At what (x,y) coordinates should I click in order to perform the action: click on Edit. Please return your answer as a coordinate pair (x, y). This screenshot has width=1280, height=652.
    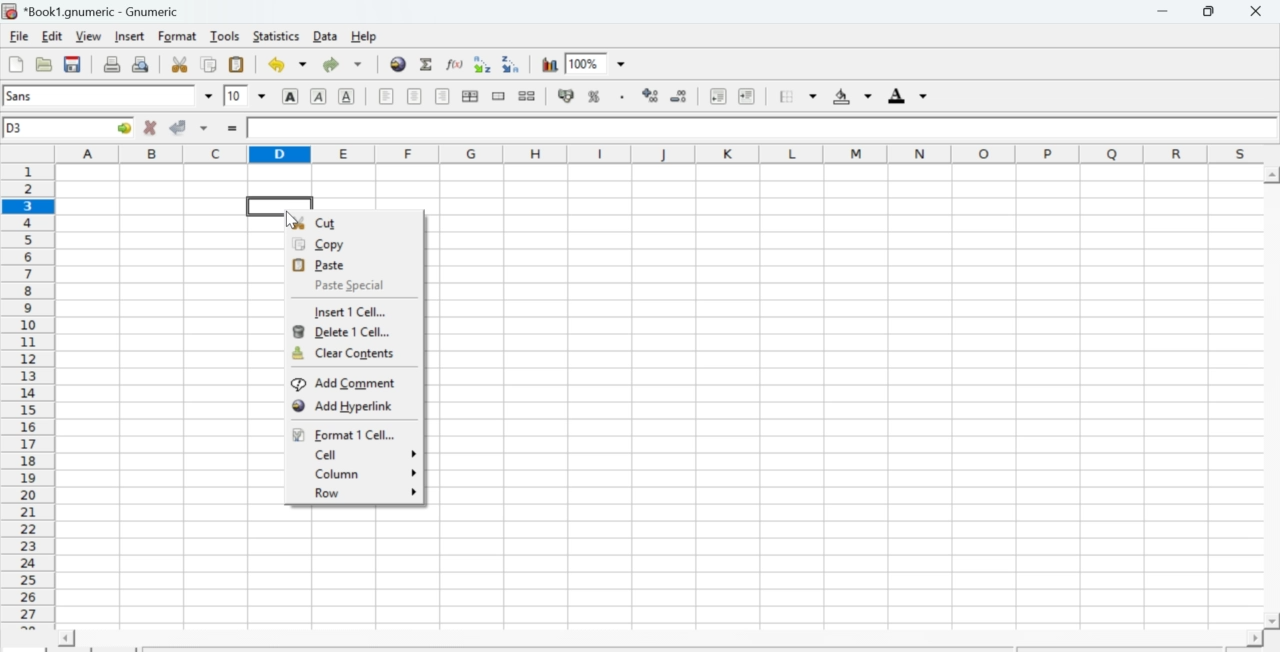
    Looking at the image, I should click on (53, 35).